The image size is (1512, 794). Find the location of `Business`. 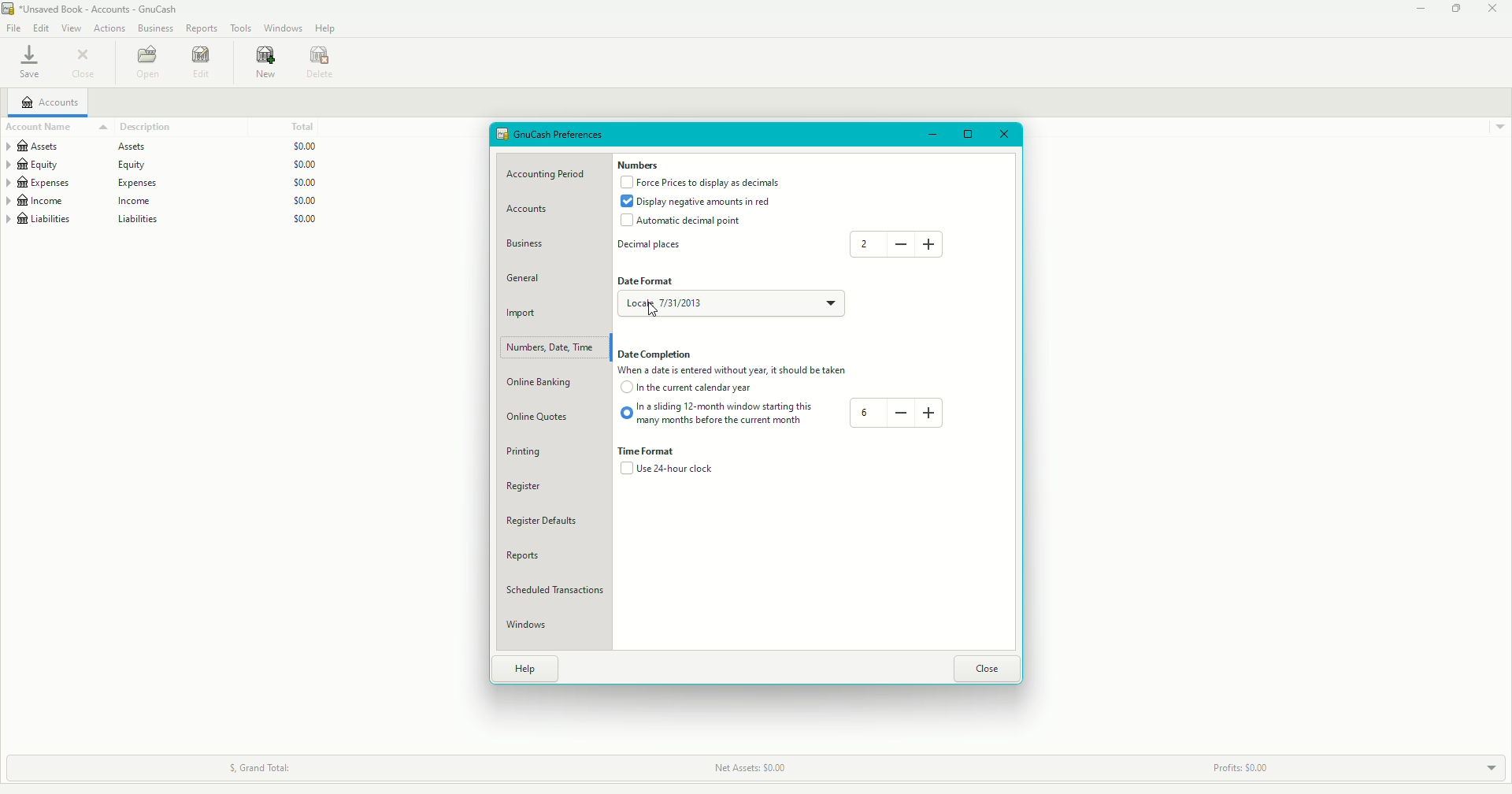

Business is located at coordinates (155, 28).